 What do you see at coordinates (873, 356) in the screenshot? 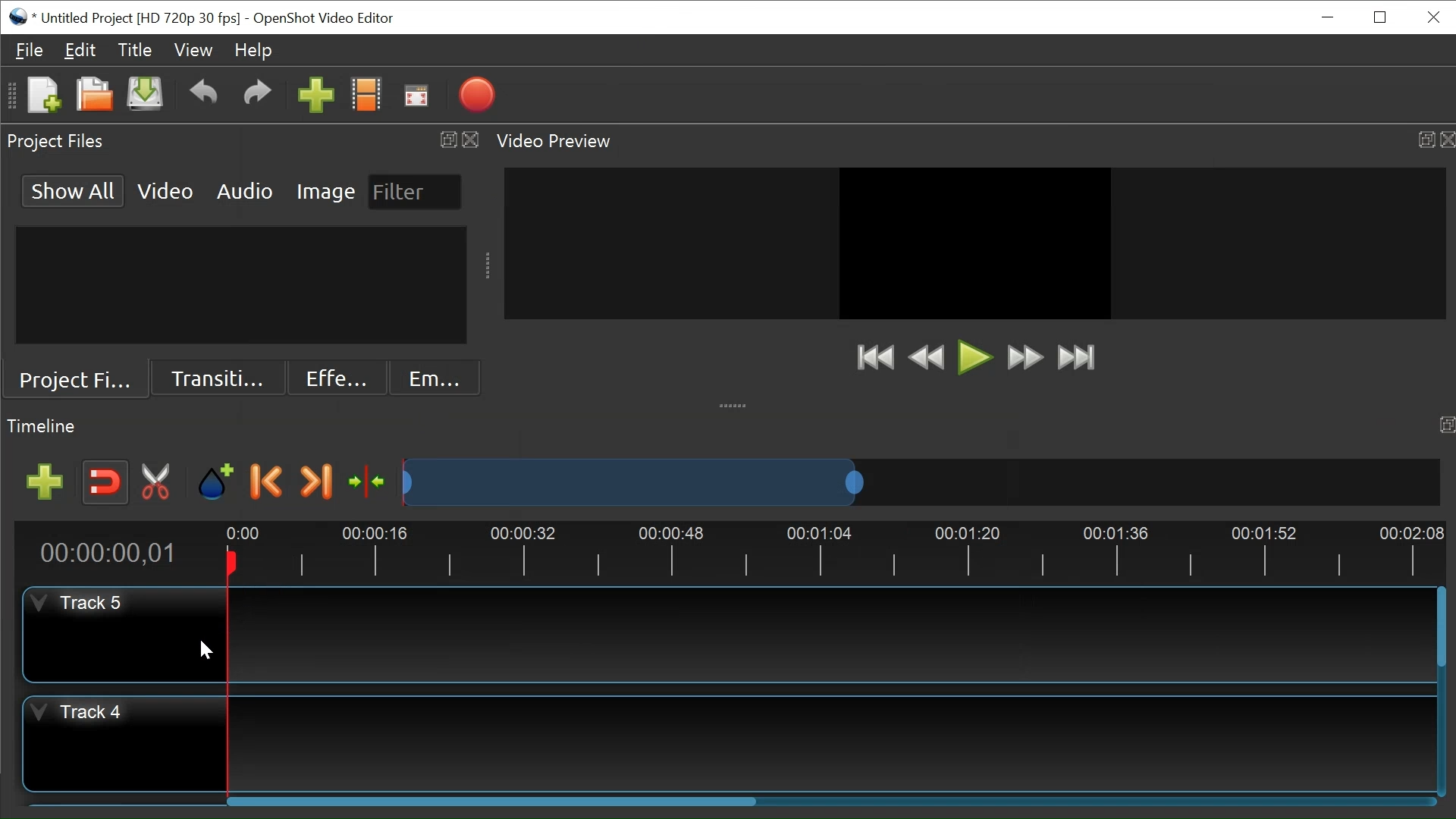
I see `Jump to Start` at bounding box center [873, 356].